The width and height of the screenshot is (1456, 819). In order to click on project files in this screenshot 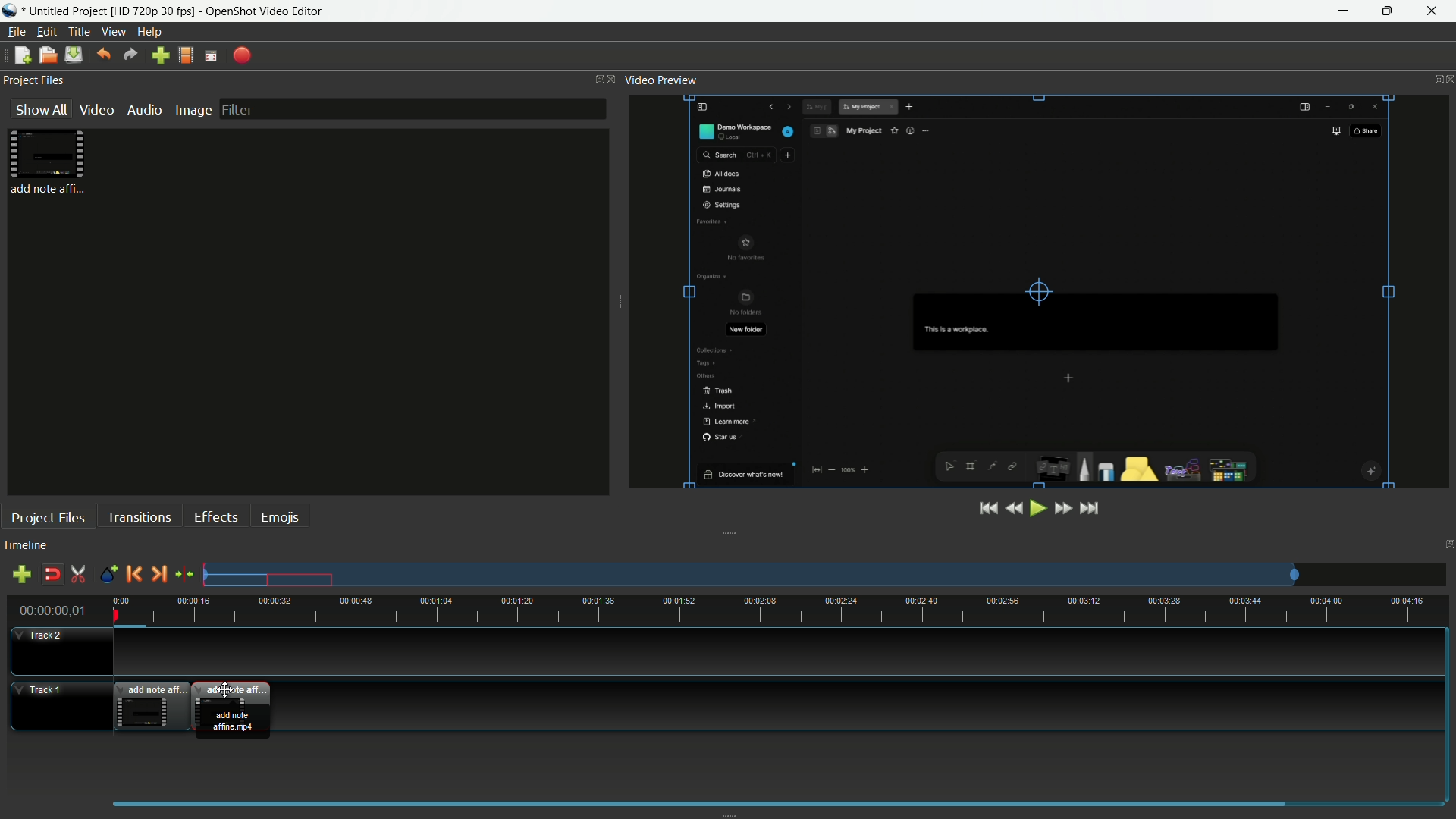, I will do `click(49, 518)`.